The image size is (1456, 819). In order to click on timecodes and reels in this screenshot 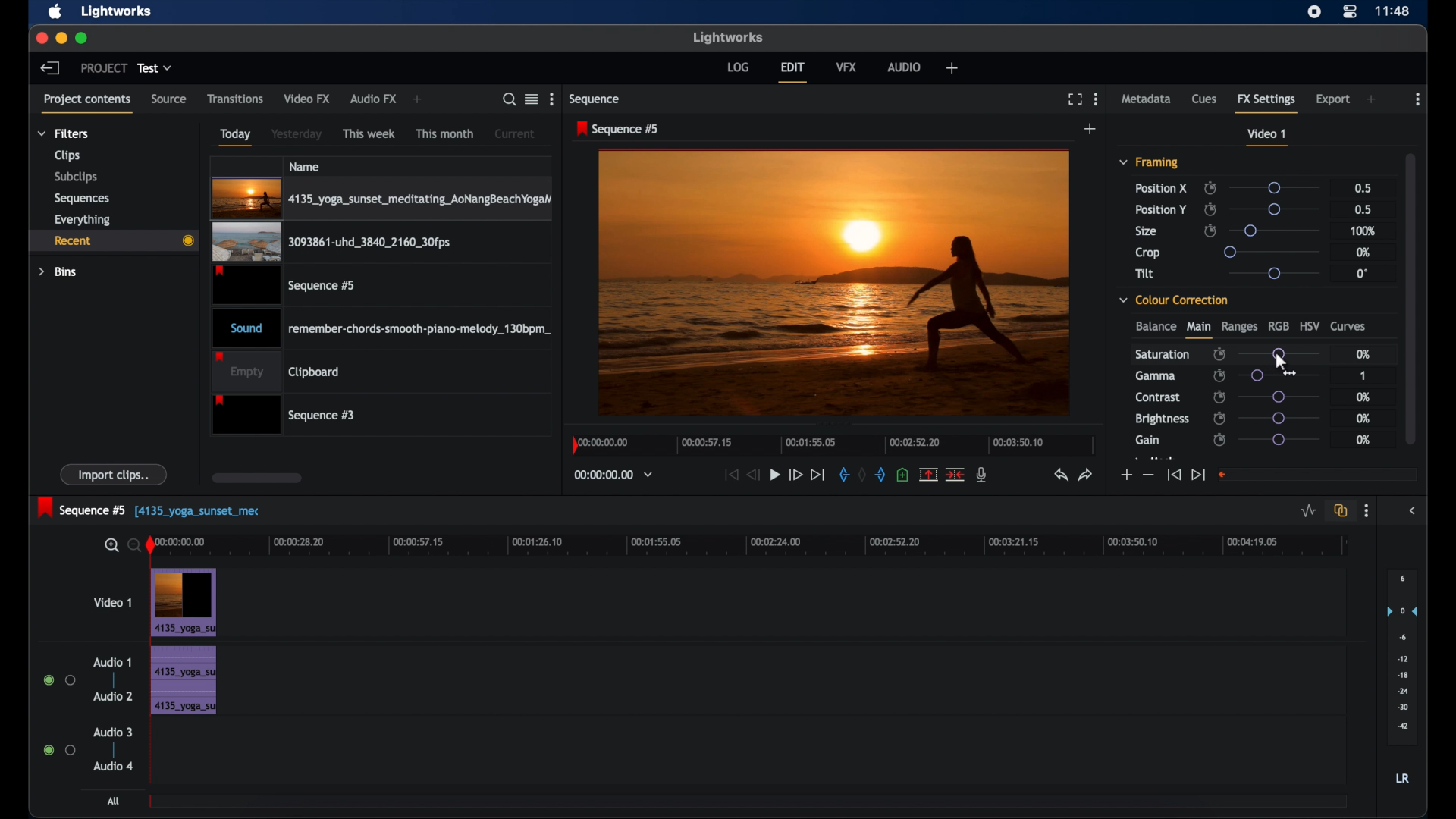, I will do `click(613, 475)`.